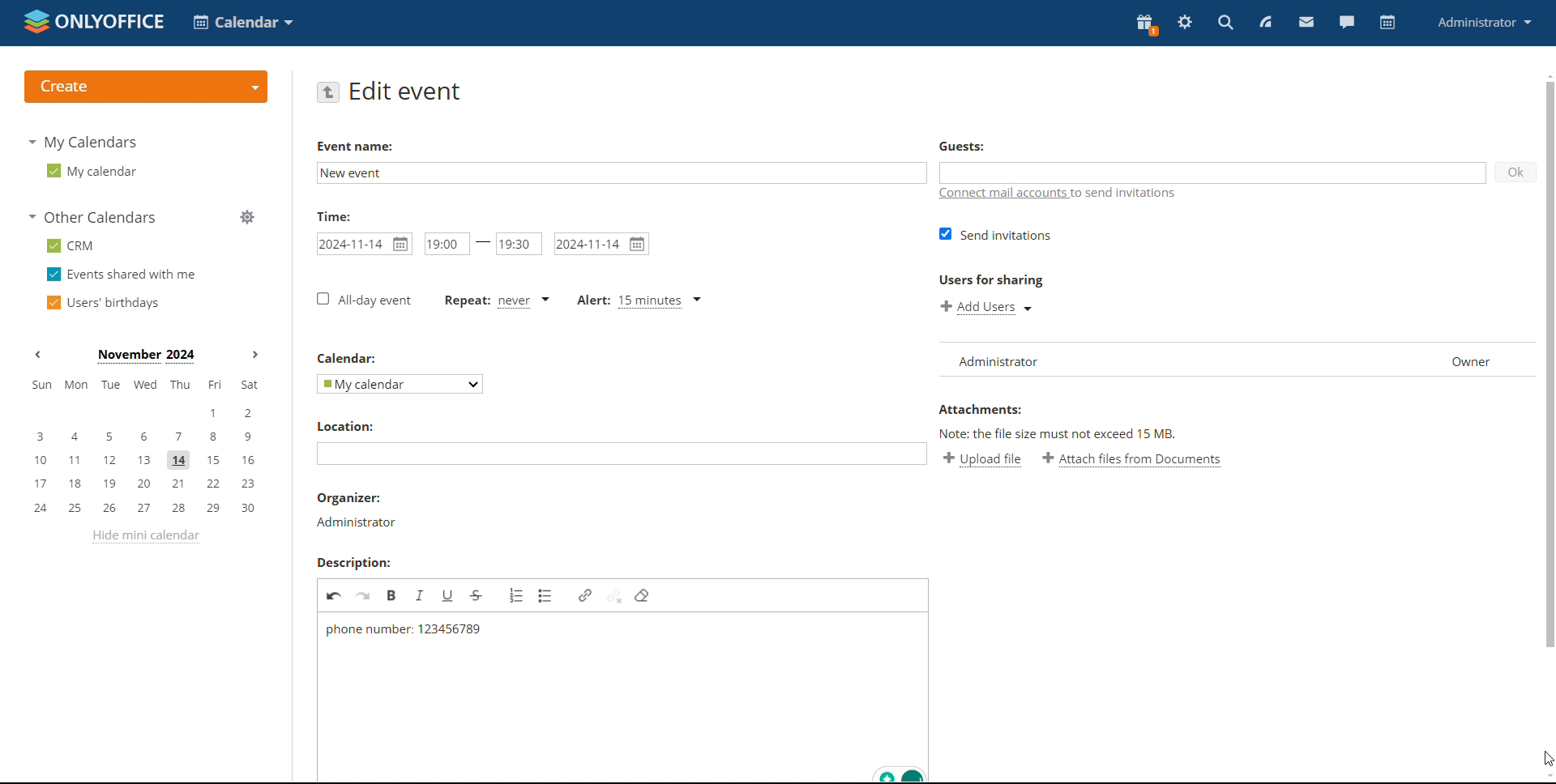  I want to click on scroll down, so click(1546, 775).